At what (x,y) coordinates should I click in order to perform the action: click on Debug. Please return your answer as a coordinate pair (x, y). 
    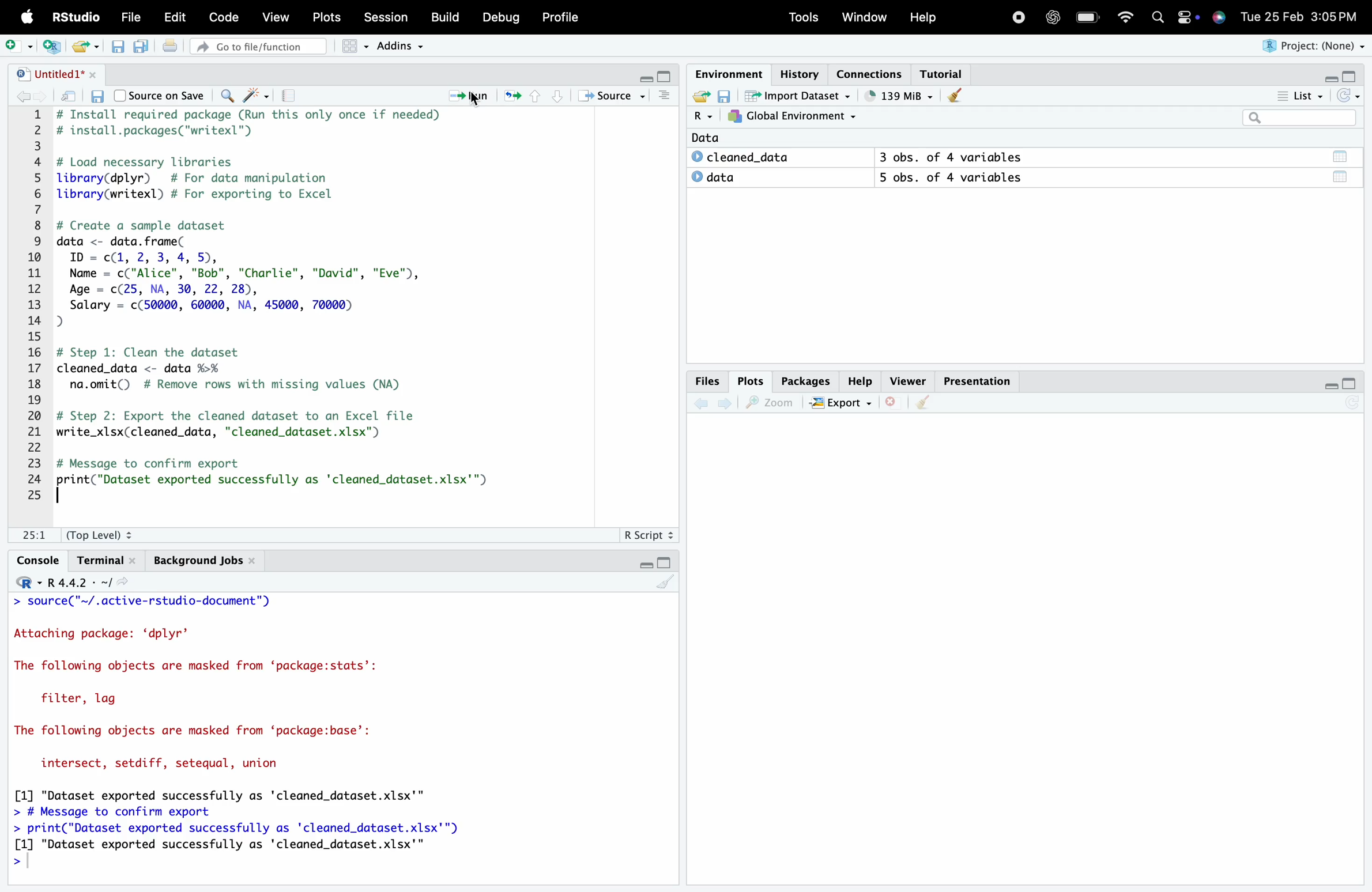
    Looking at the image, I should click on (499, 18).